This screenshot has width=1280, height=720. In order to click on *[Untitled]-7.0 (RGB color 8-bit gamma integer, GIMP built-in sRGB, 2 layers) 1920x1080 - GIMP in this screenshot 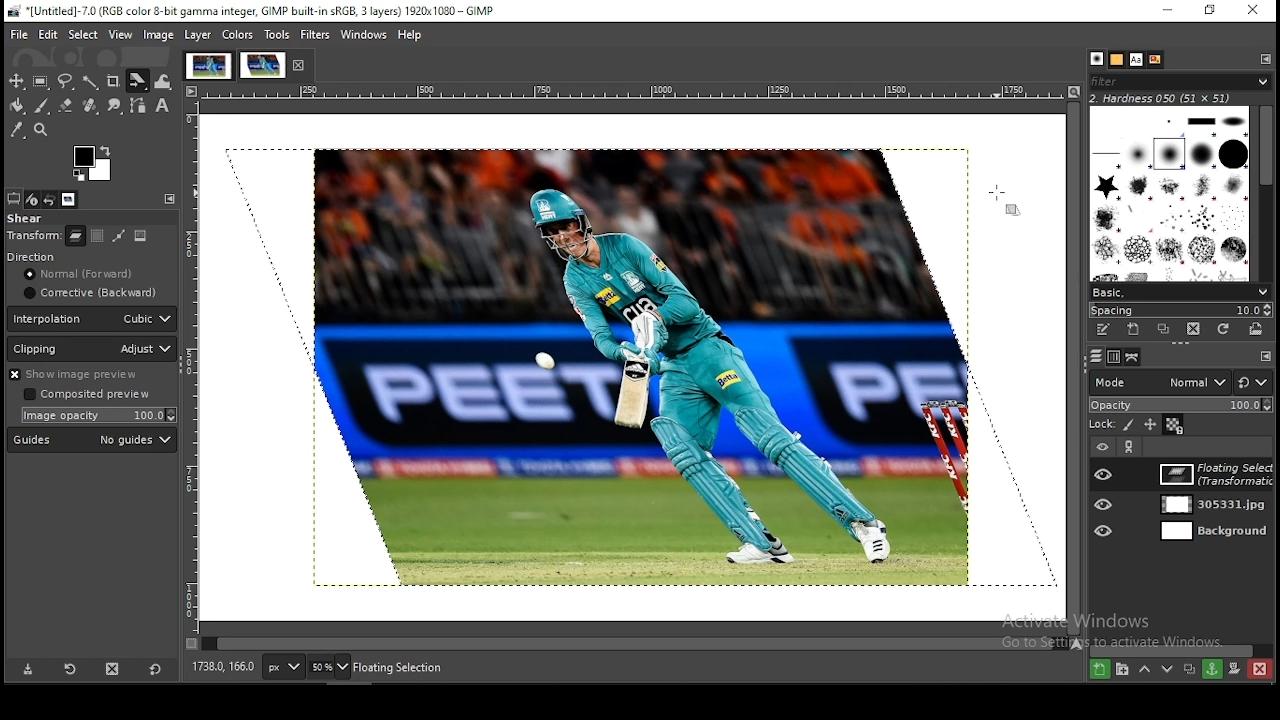, I will do `click(262, 11)`.